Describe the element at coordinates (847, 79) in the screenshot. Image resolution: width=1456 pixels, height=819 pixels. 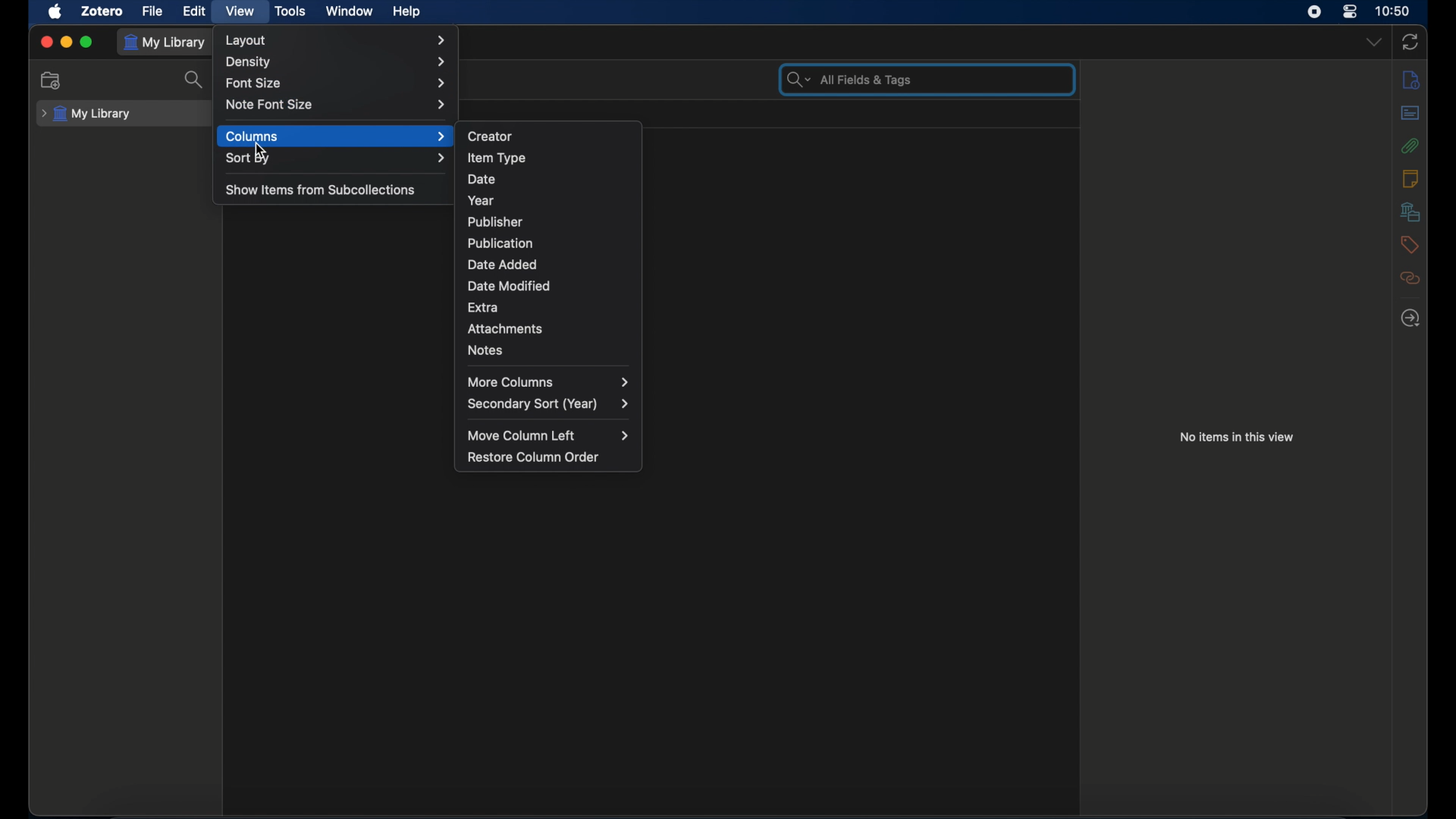
I see `search bar` at that location.